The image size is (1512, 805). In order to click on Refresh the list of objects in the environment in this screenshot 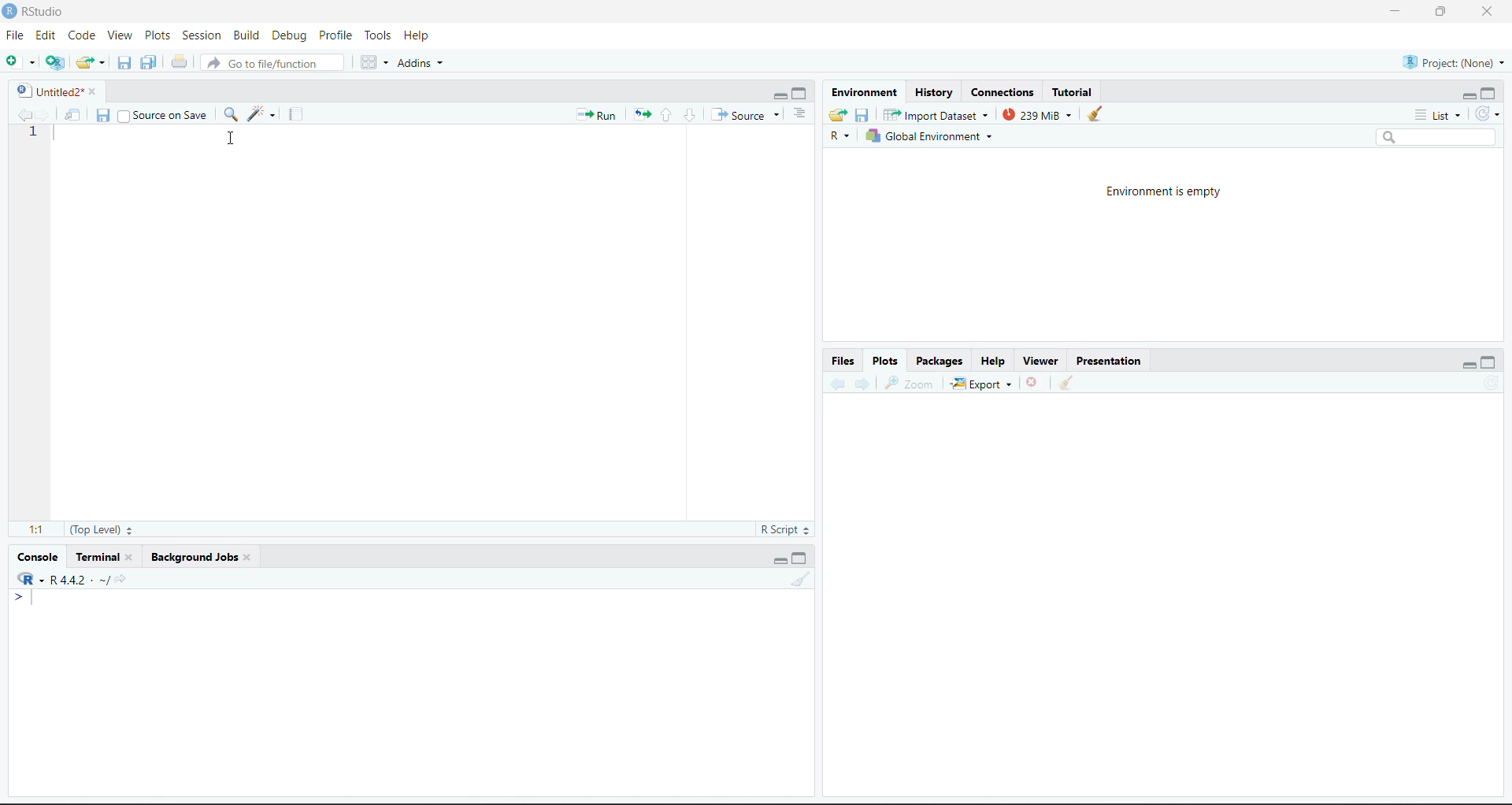, I will do `click(1492, 117)`.